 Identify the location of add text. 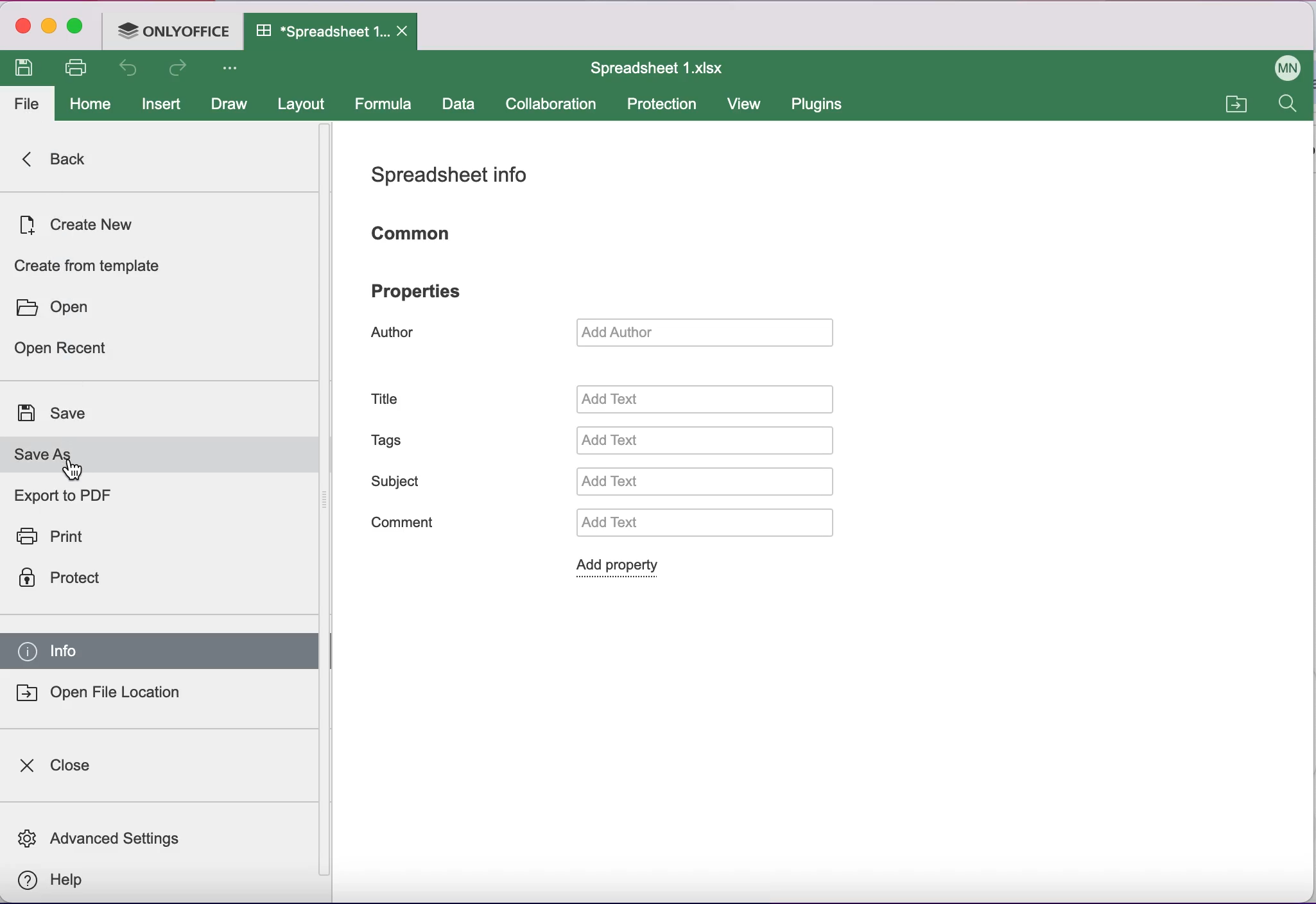
(709, 440).